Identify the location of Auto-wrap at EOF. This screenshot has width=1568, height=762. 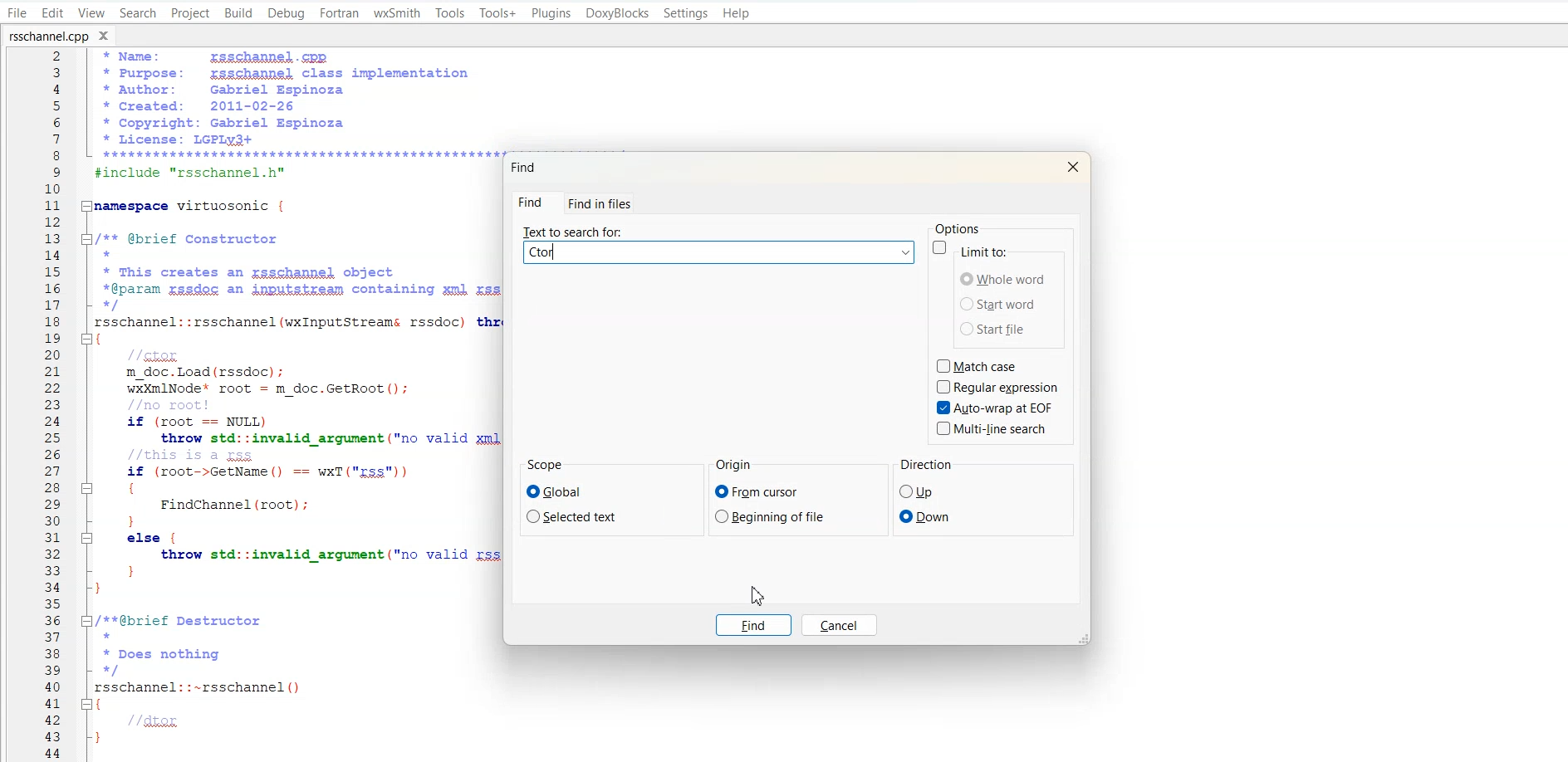
(995, 408).